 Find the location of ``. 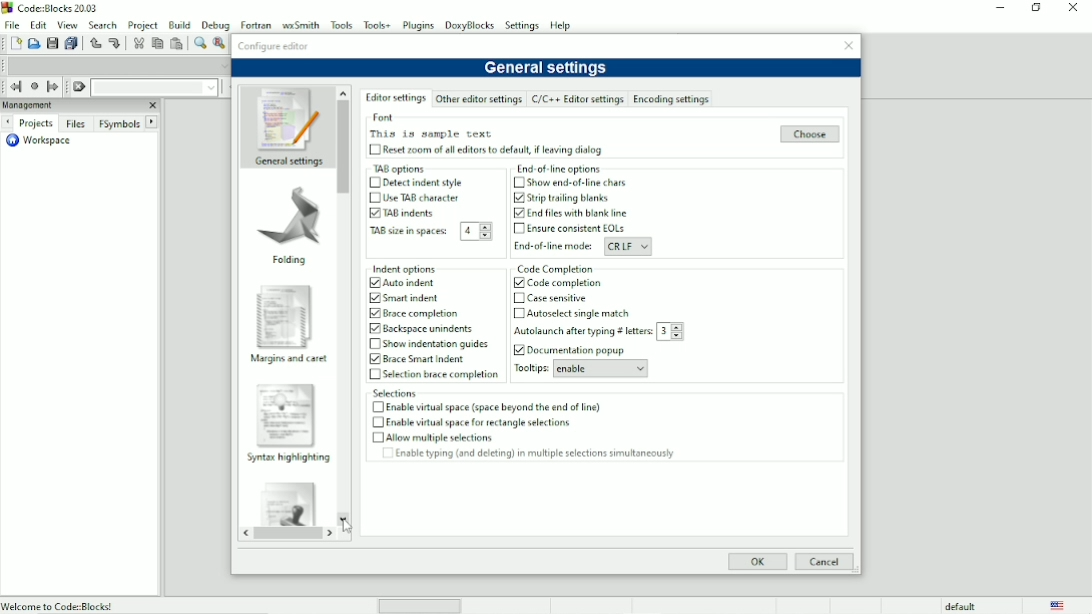

 is located at coordinates (374, 298).